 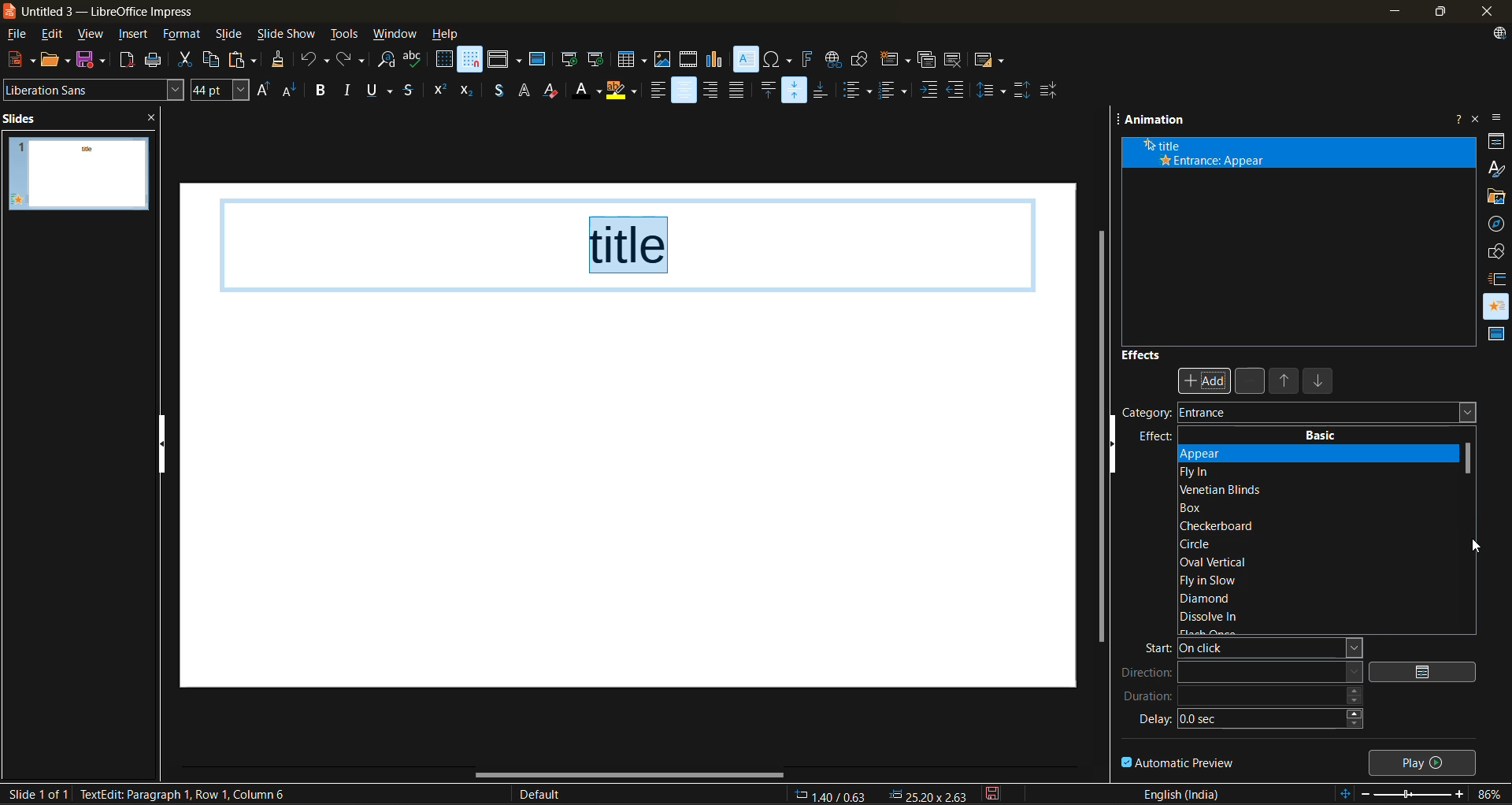 I want to click on app name and file name, so click(x=109, y=12).